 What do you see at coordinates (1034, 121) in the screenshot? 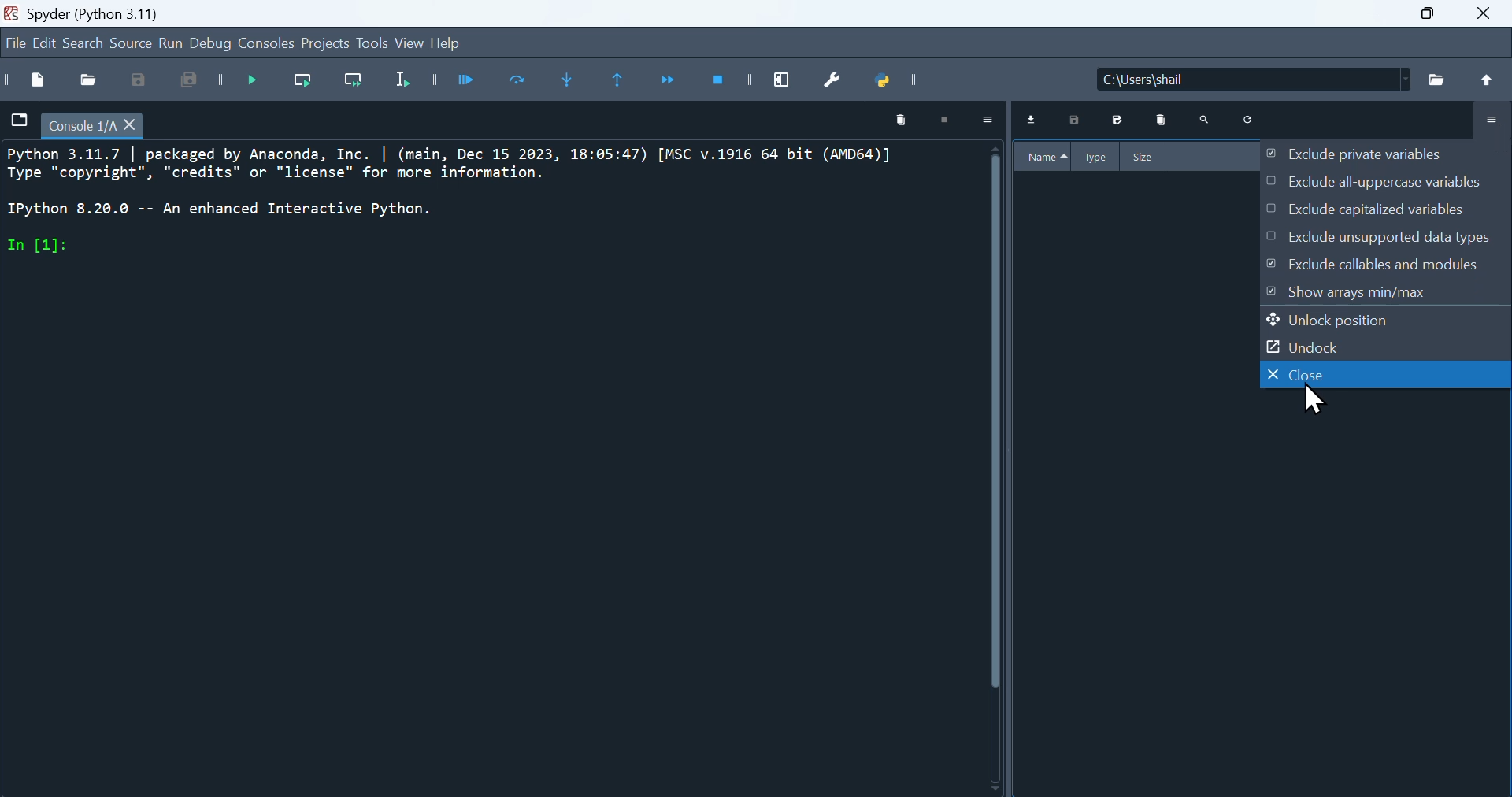
I see `Download` at bounding box center [1034, 121].